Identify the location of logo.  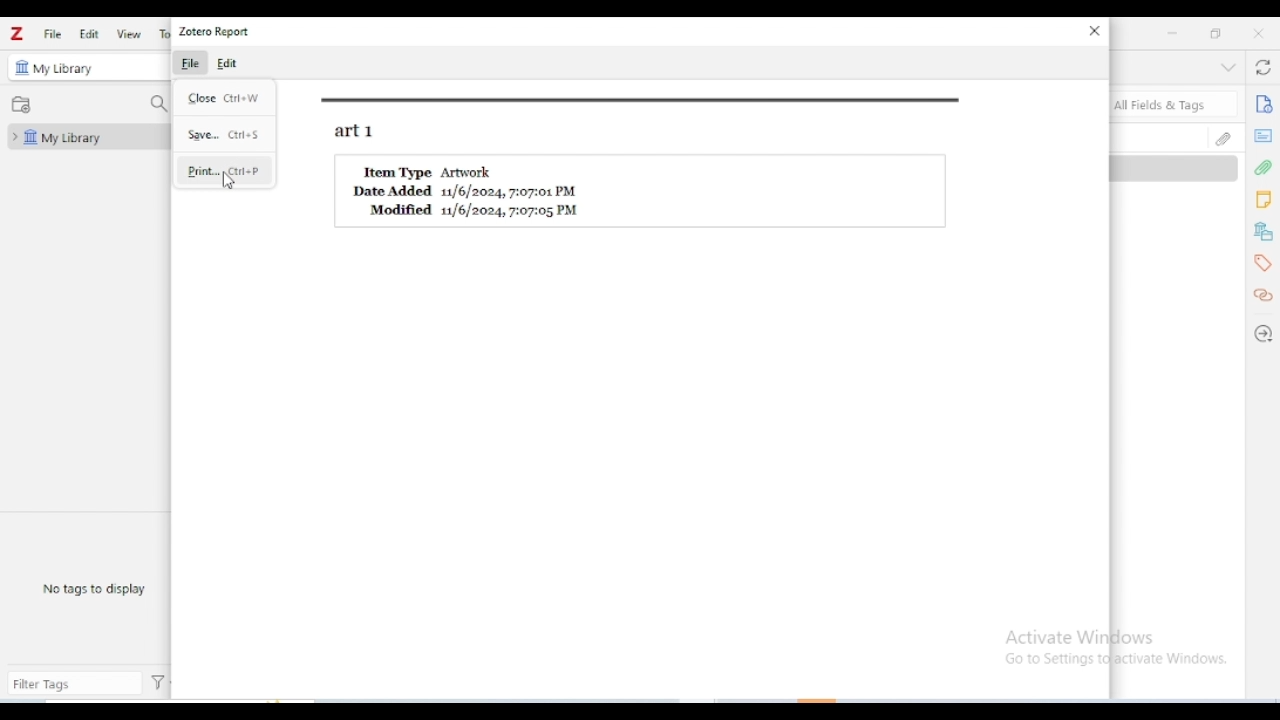
(17, 34).